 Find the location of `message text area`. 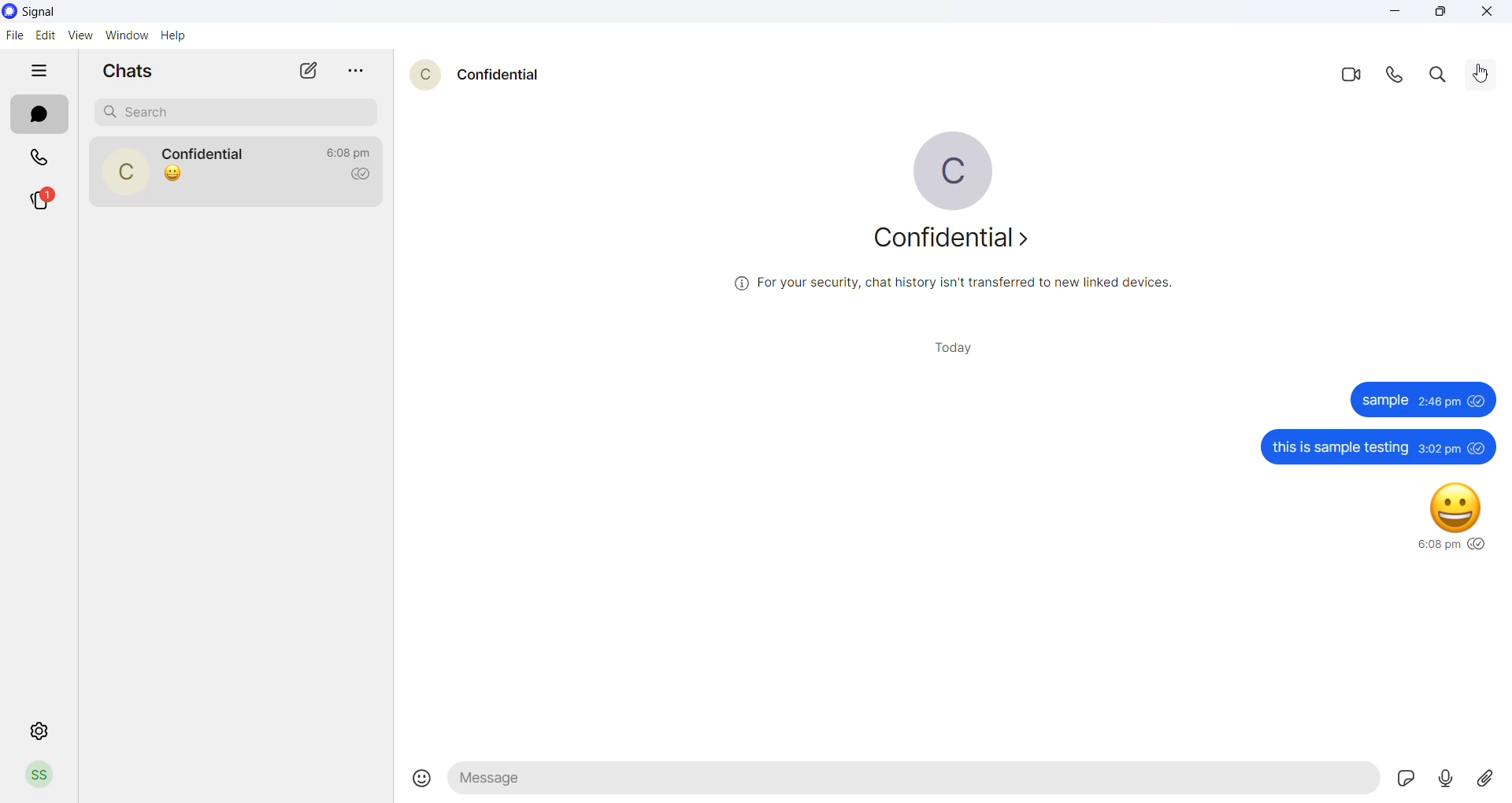

message text area is located at coordinates (911, 783).